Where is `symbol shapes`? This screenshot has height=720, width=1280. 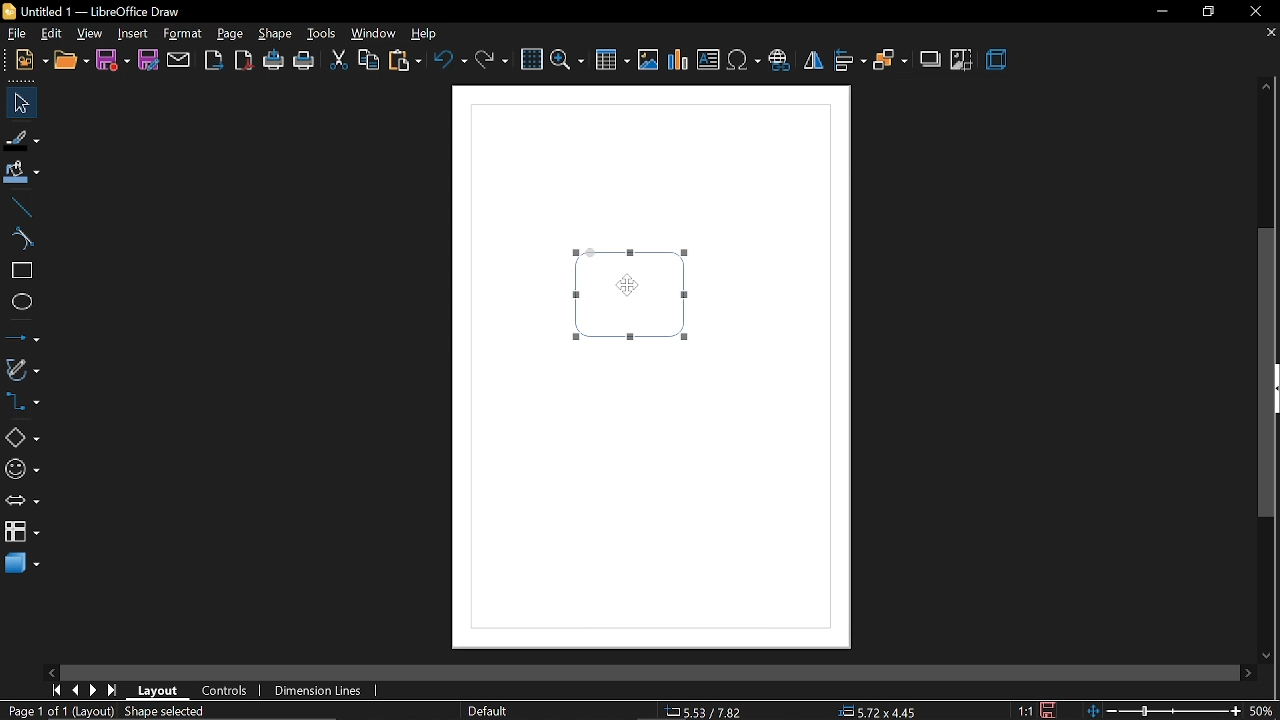
symbol shapes is located at coordinates (21, 470).